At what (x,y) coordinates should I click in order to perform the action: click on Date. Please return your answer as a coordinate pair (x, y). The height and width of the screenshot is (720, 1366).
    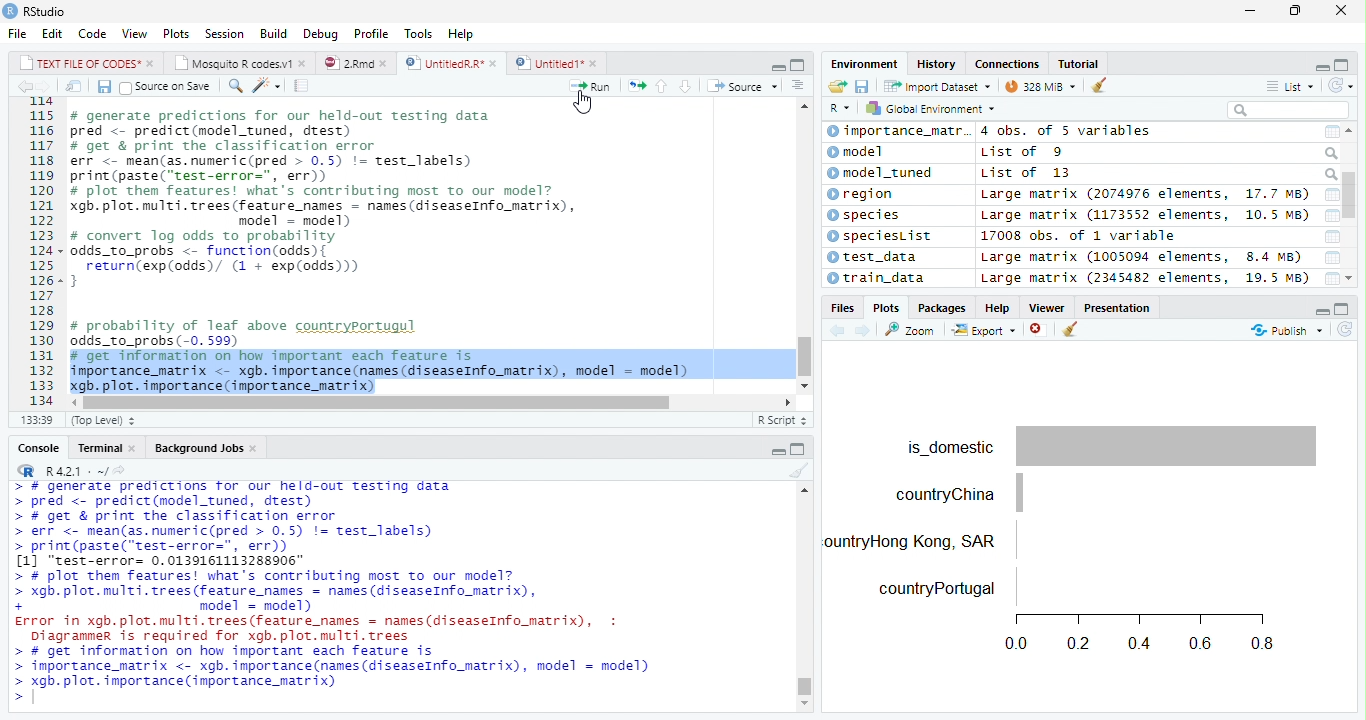
    Looking at the image, I should click on (1333, 236).